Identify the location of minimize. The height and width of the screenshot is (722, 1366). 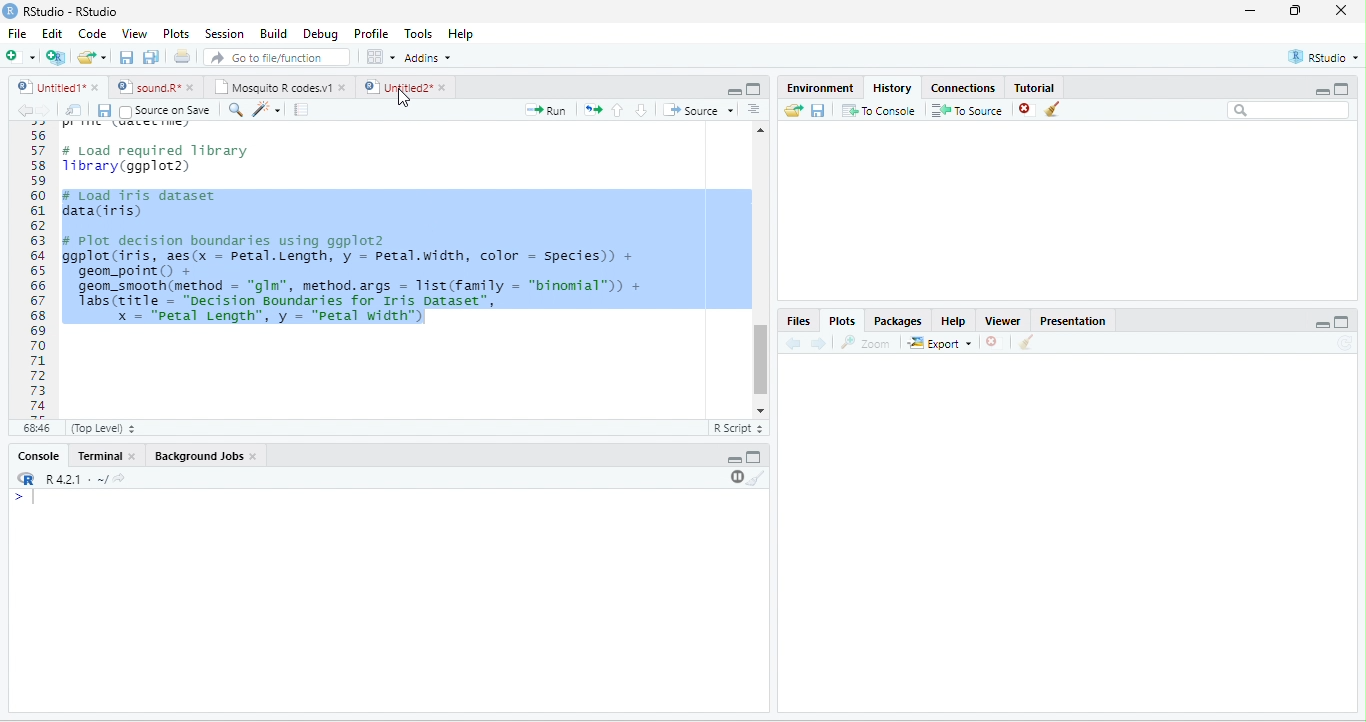
(1321, 92).